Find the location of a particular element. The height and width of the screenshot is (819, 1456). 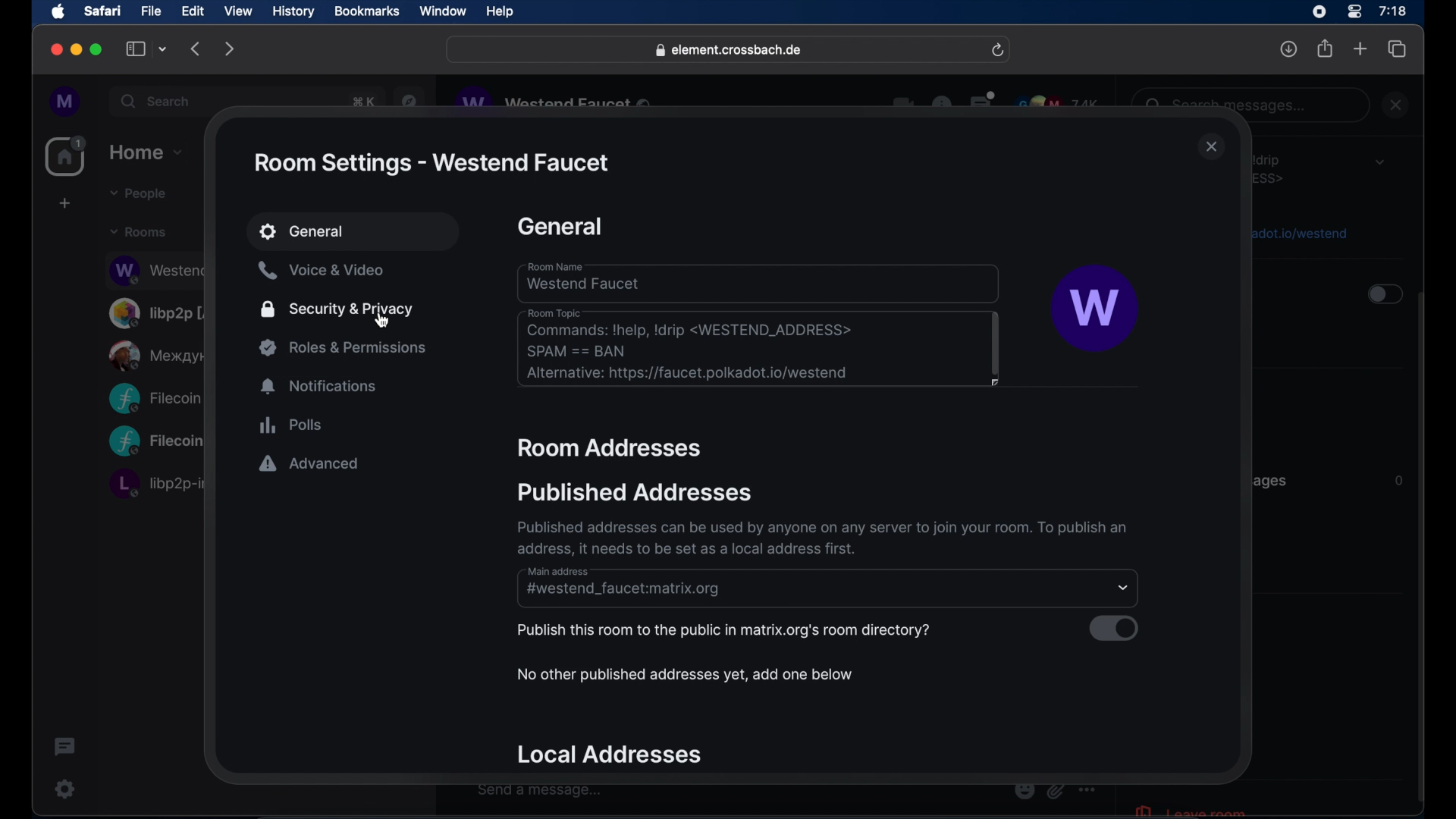

obscure text is located at coordinates (1229, 105).